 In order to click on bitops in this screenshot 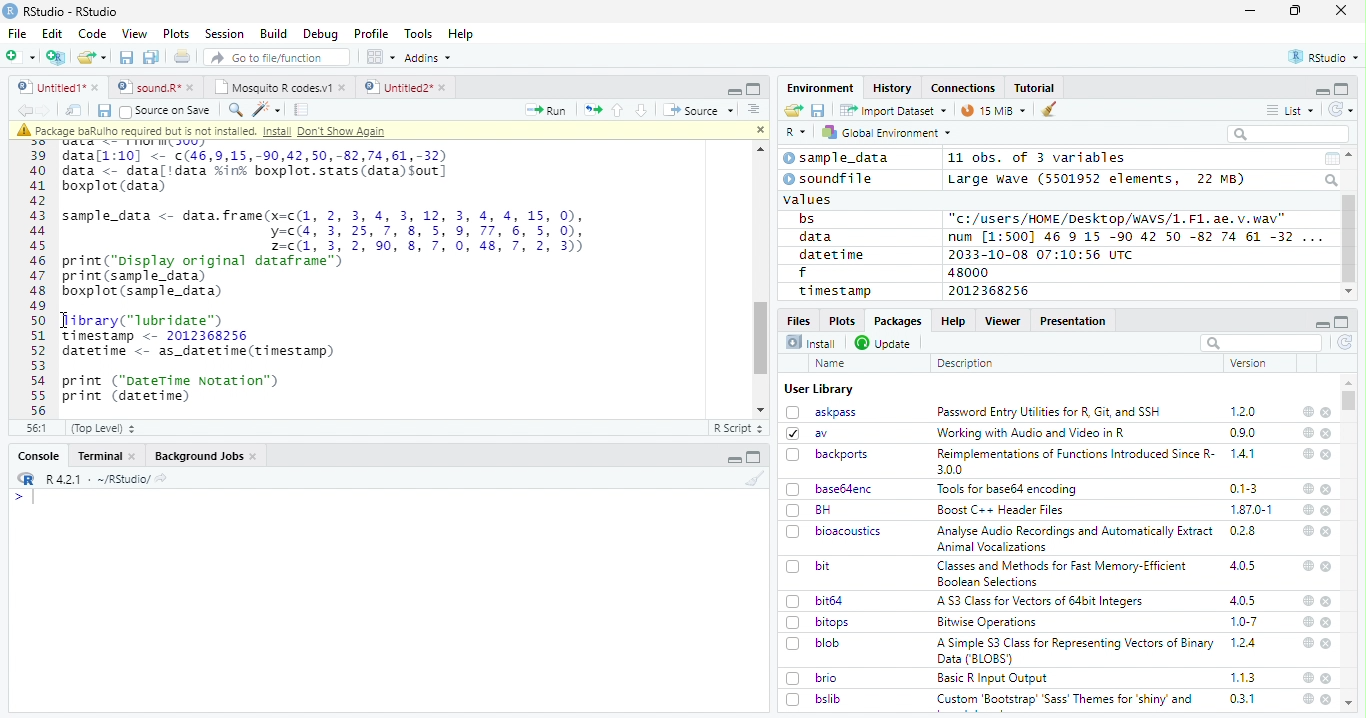, I will do `click(819, 622)`.